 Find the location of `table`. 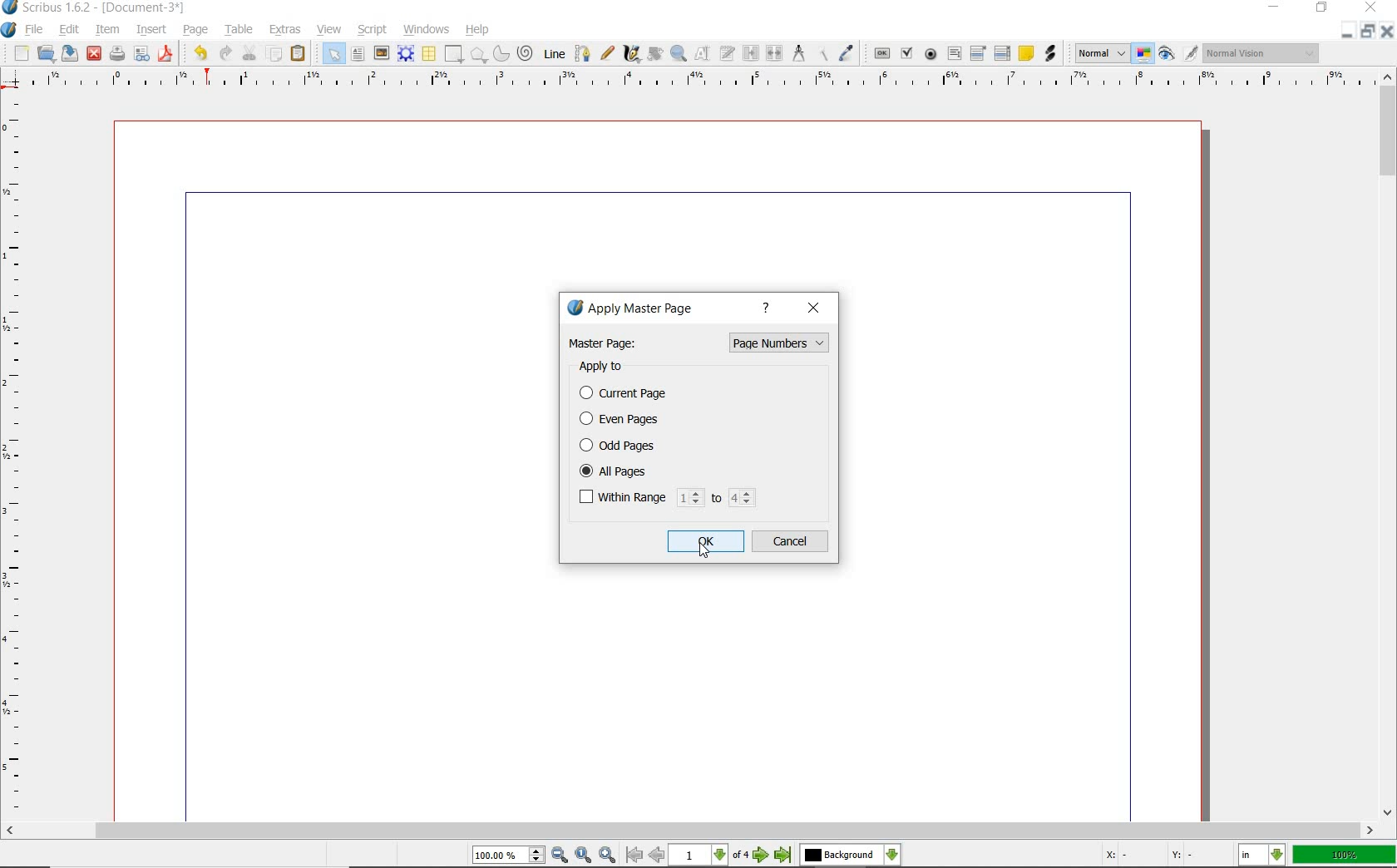

table is located at coordinates (238, 30).